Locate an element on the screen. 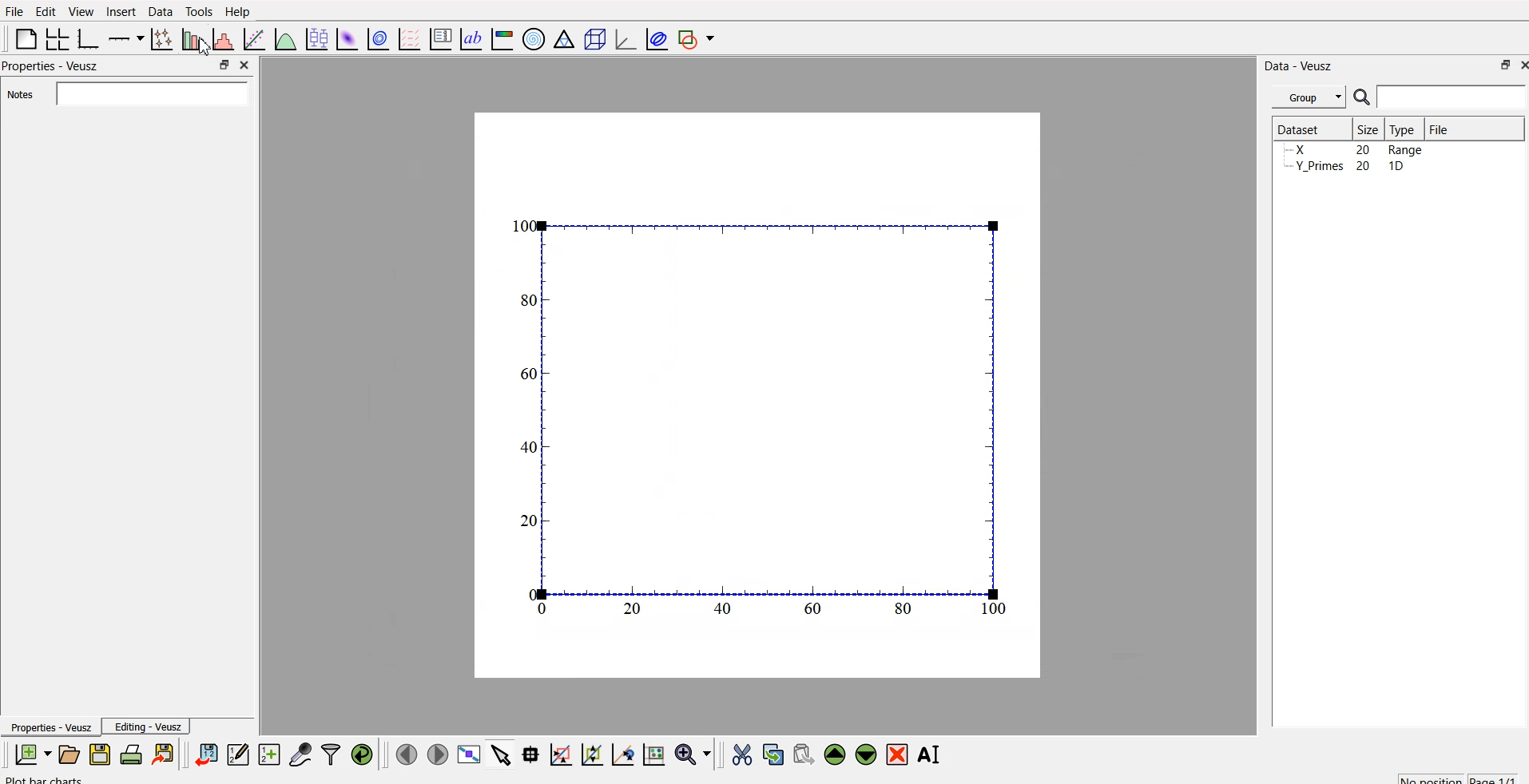  export to graphics format is located at coordinates (166, 754).